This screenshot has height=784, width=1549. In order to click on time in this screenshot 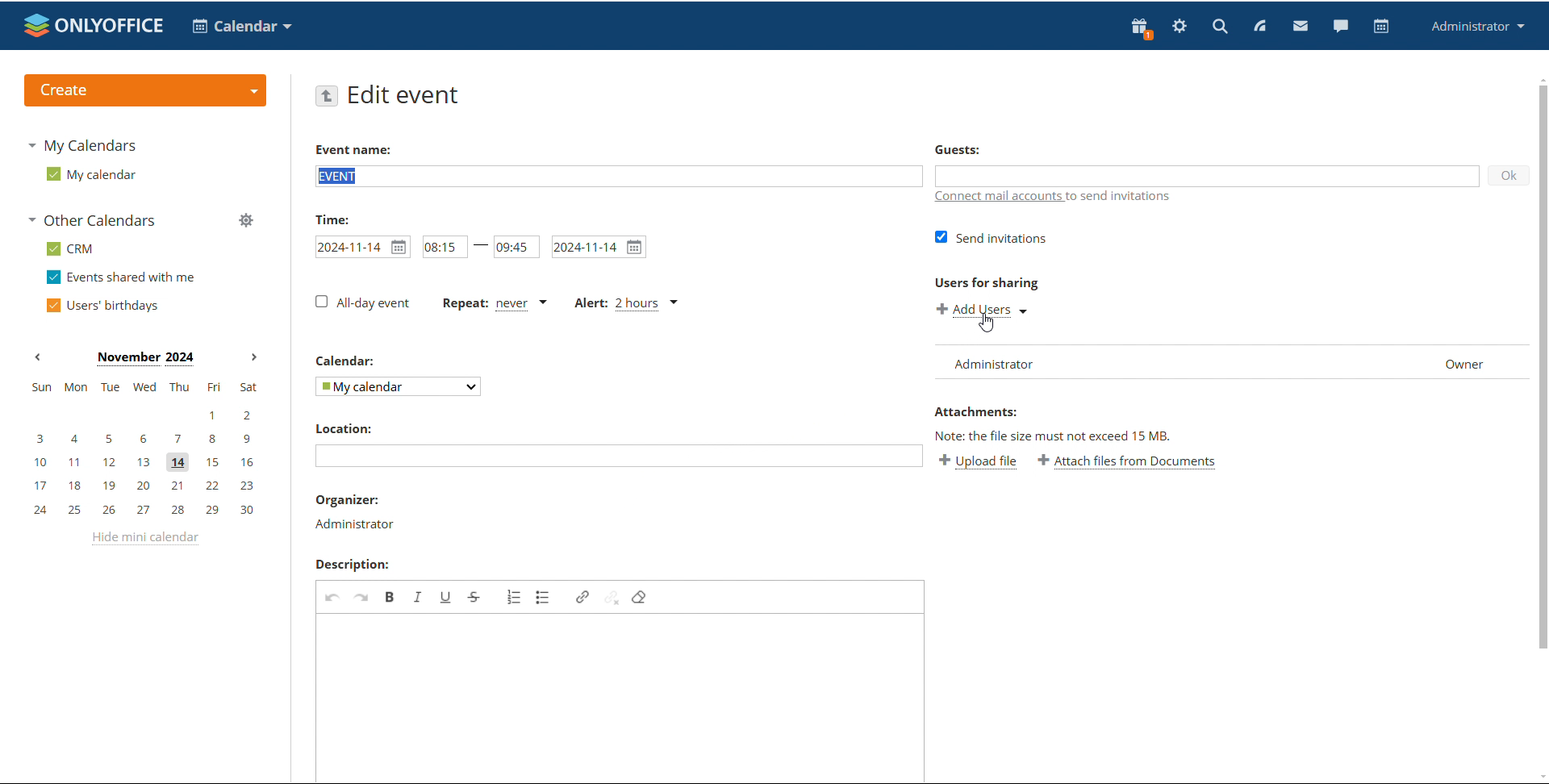, I will do `click(329, 219)`.